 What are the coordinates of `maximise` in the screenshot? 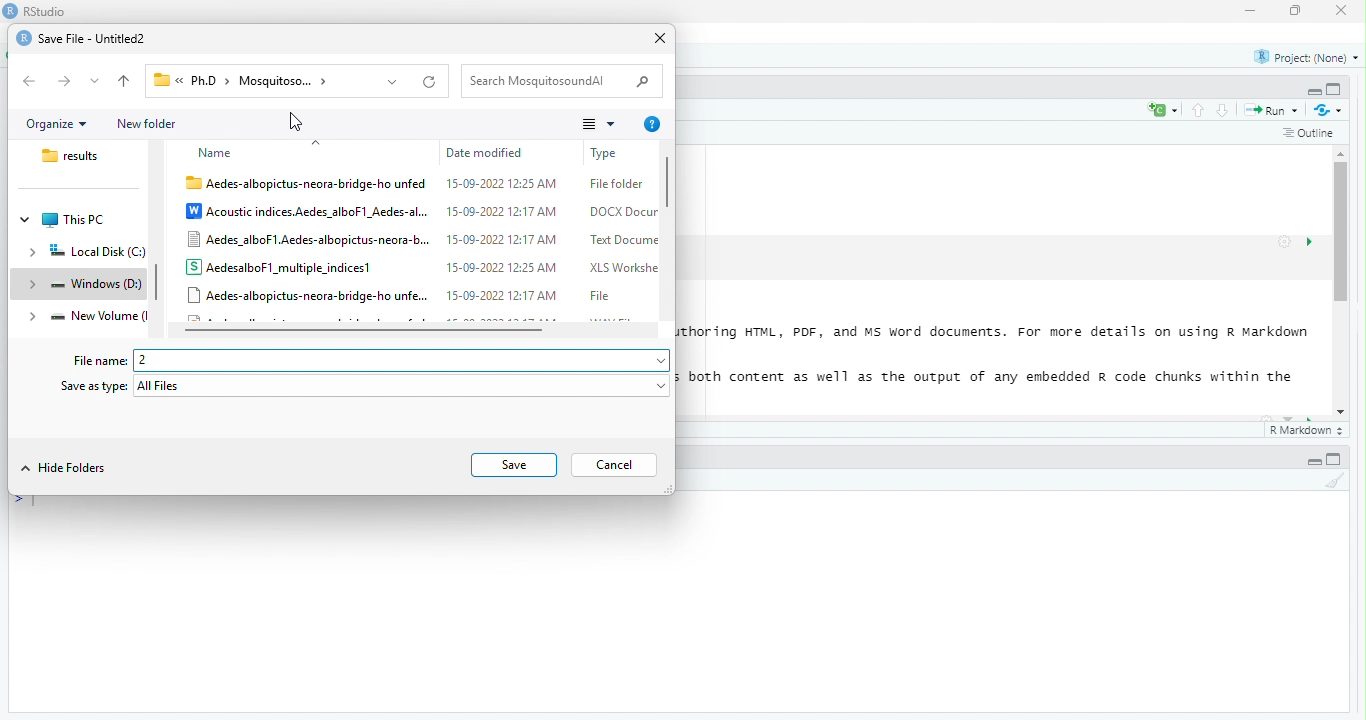 It's located at (1296, 11).